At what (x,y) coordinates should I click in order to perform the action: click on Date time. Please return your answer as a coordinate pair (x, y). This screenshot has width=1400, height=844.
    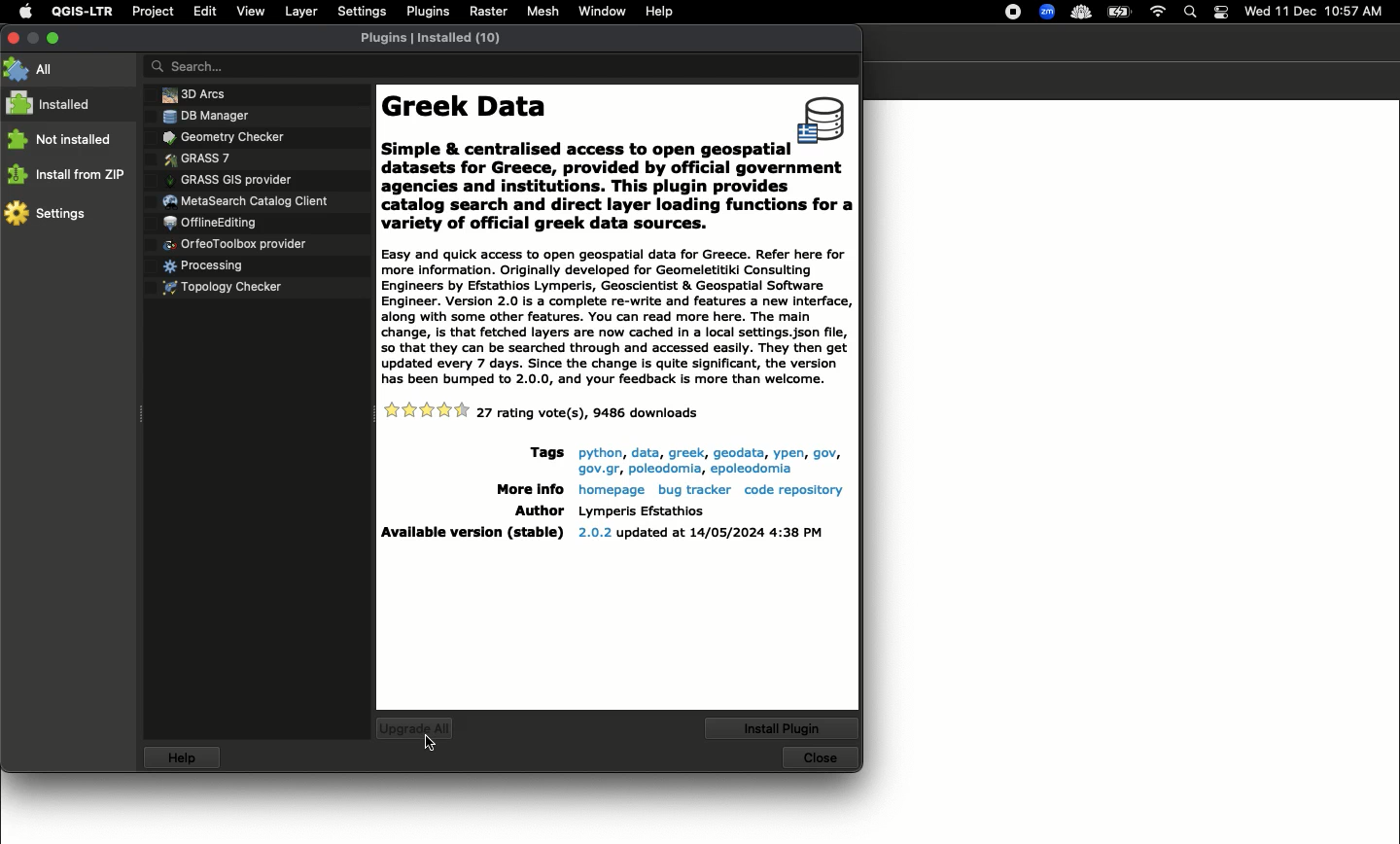
    Looking at the image, I should click on (1315, 11).